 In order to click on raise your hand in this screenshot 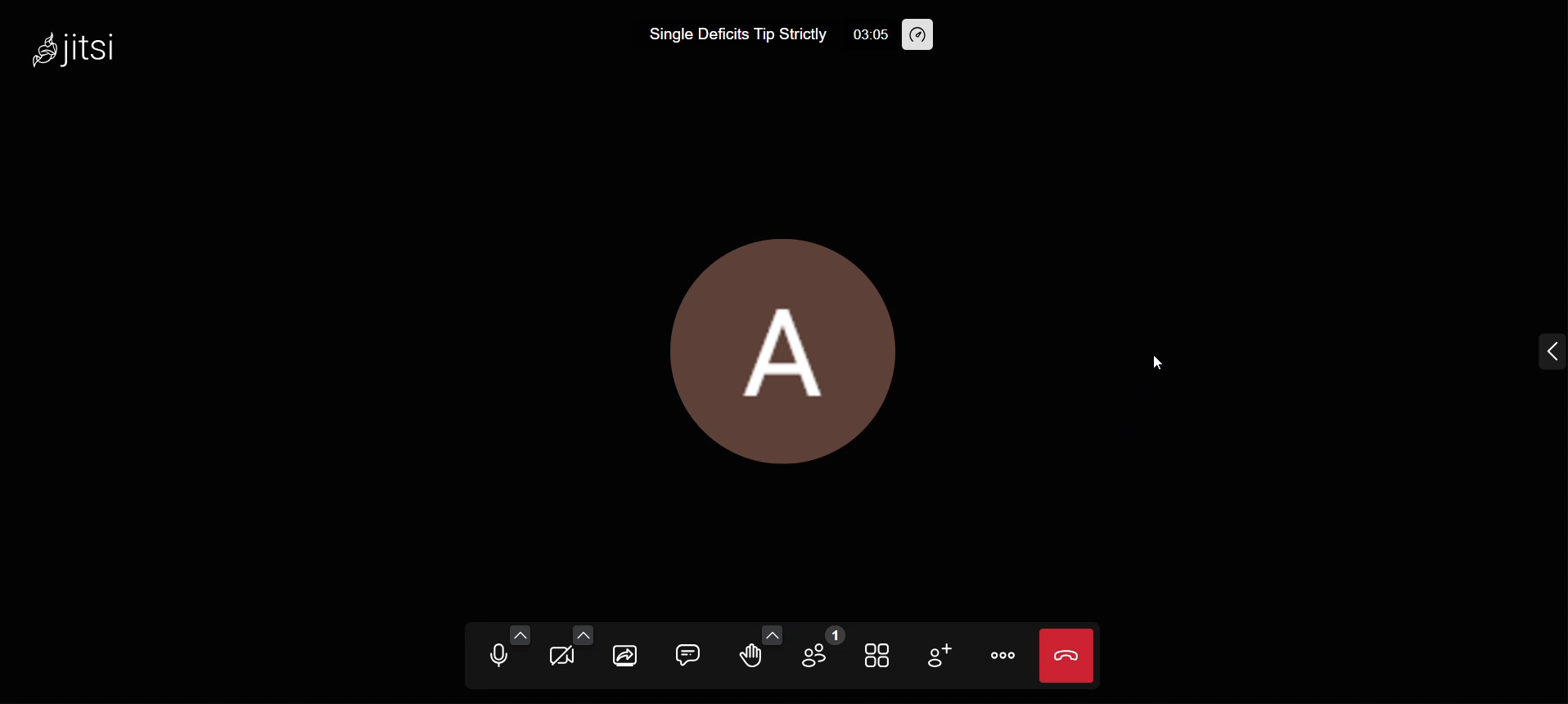, I will do `click(744, 661)`.